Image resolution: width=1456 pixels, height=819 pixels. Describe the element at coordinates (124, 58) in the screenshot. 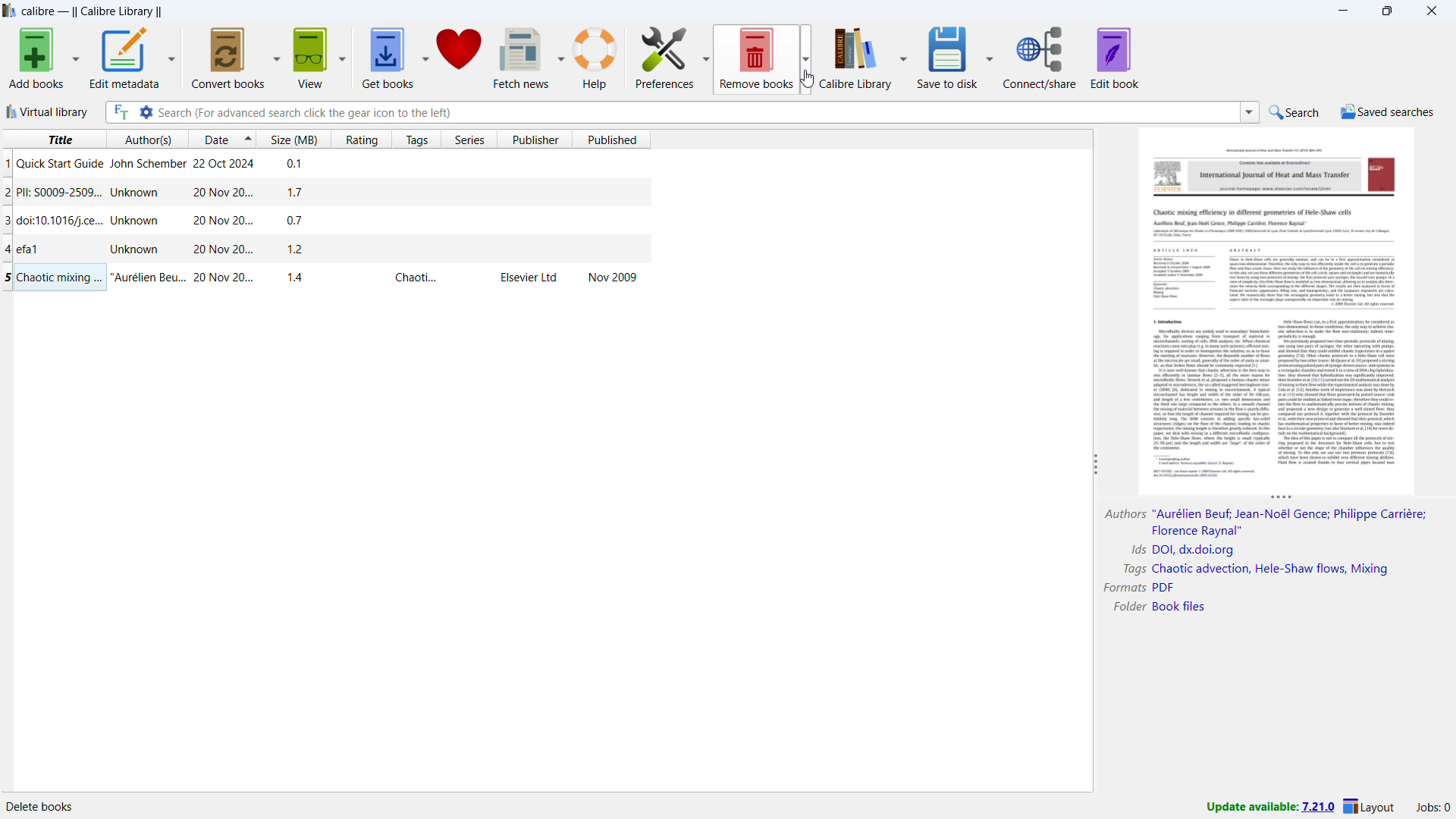

I see `edit metadata` at that location.